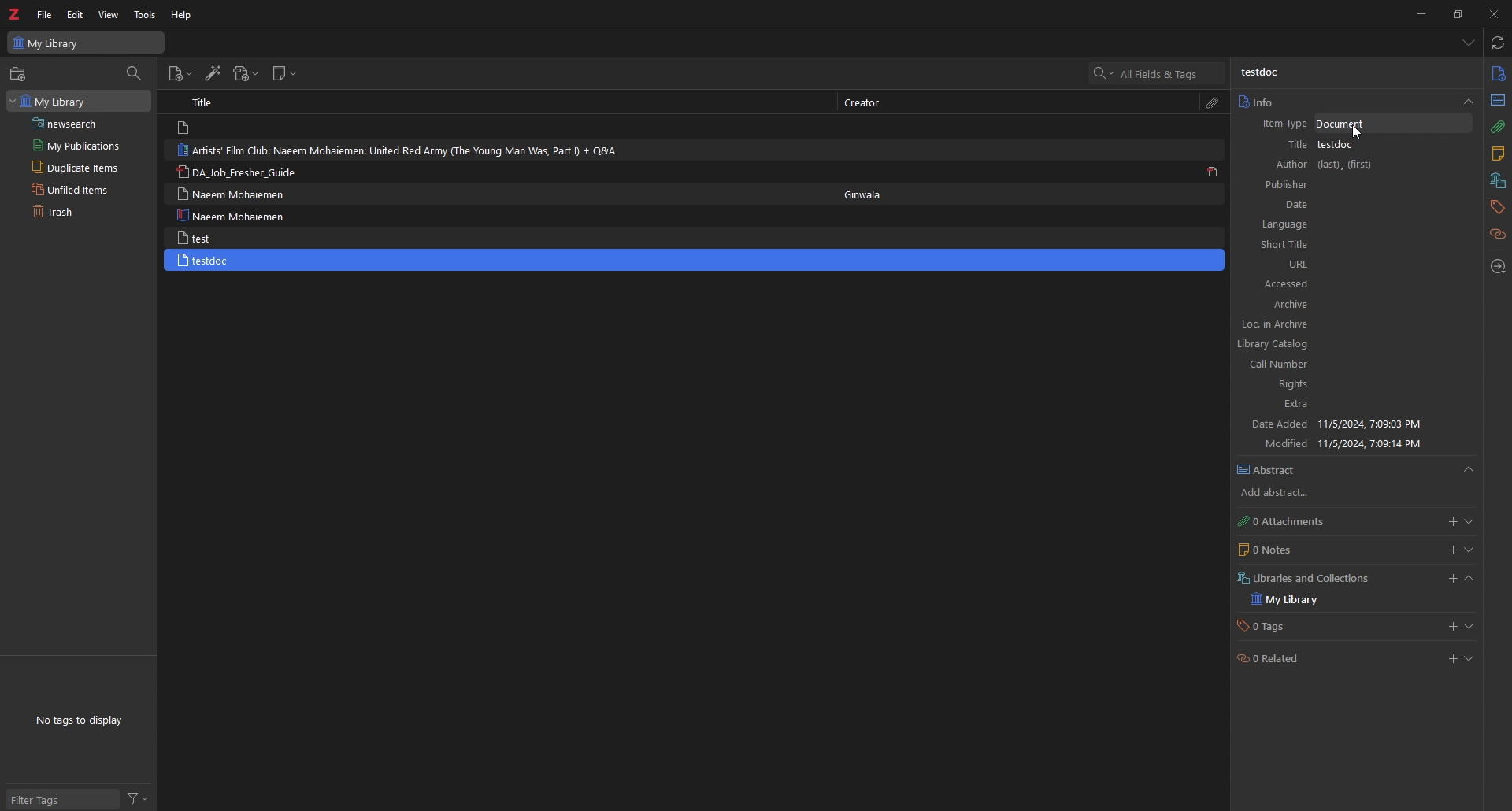 This screenshot has height=811, width=1512. Describe the element at coordinates (80, 167) in the screenshot. I see `Duplicate items` at that location.